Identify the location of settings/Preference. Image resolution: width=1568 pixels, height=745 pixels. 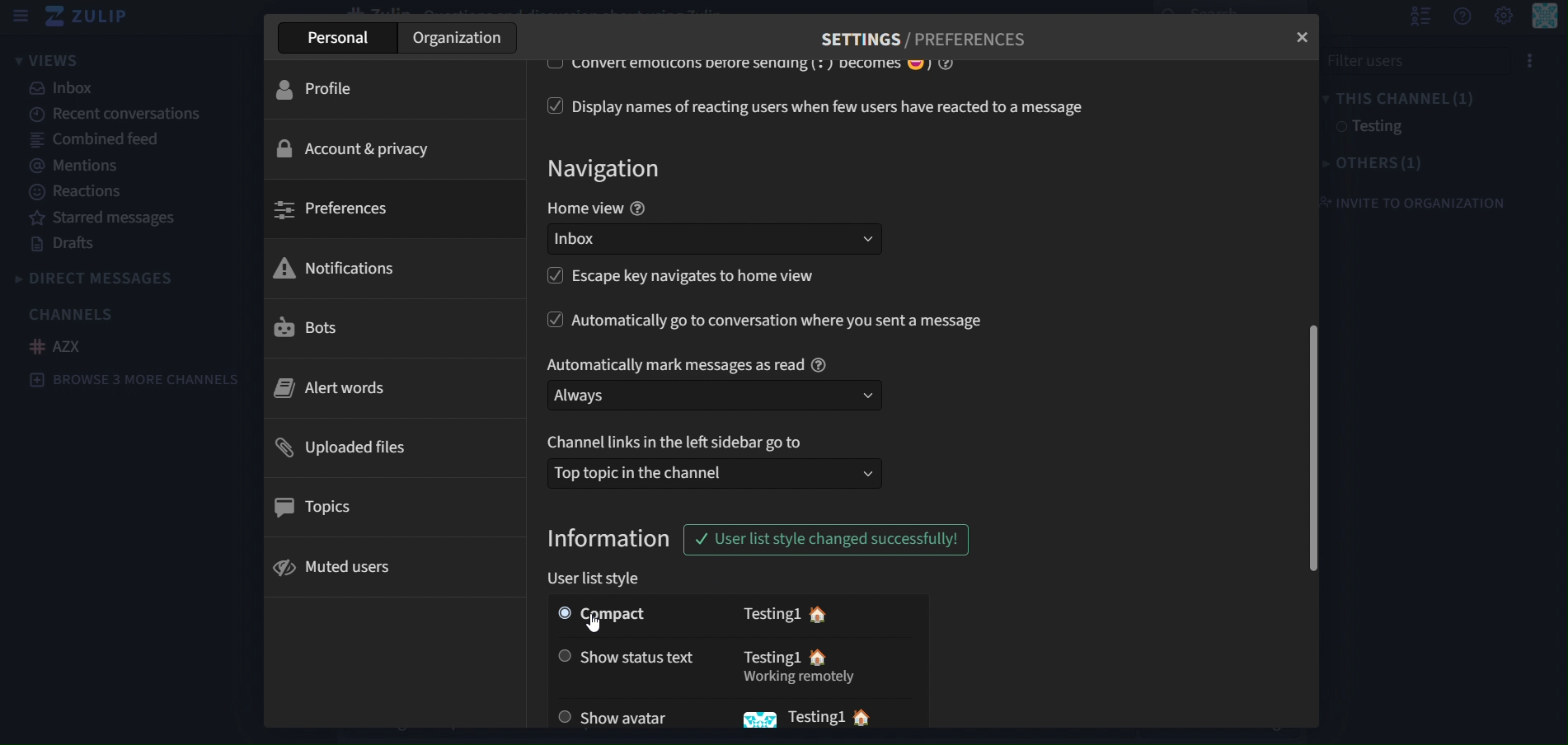
(924, 40).